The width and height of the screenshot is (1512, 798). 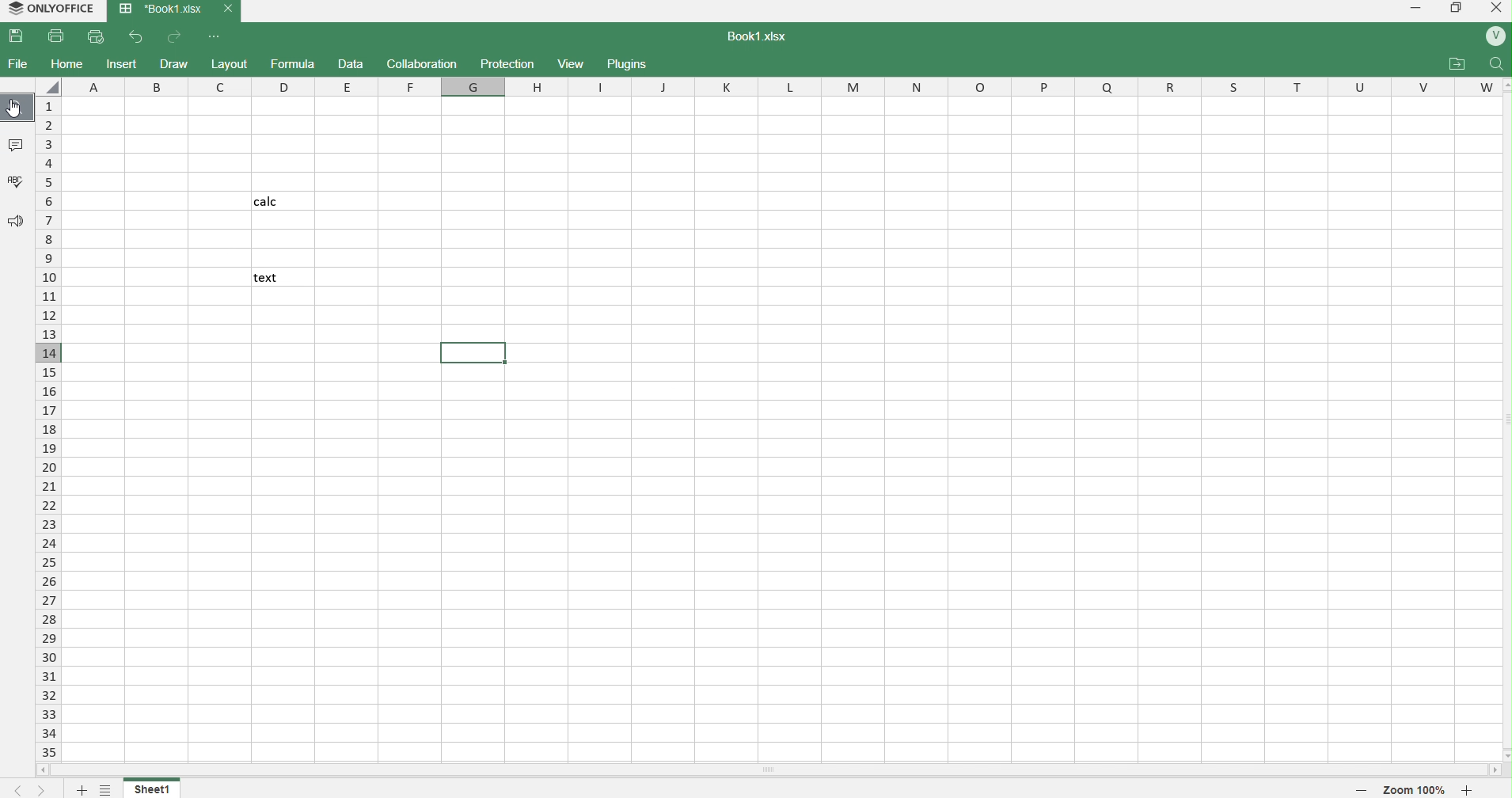 I want to click on calc, so click(x=281, y=200).